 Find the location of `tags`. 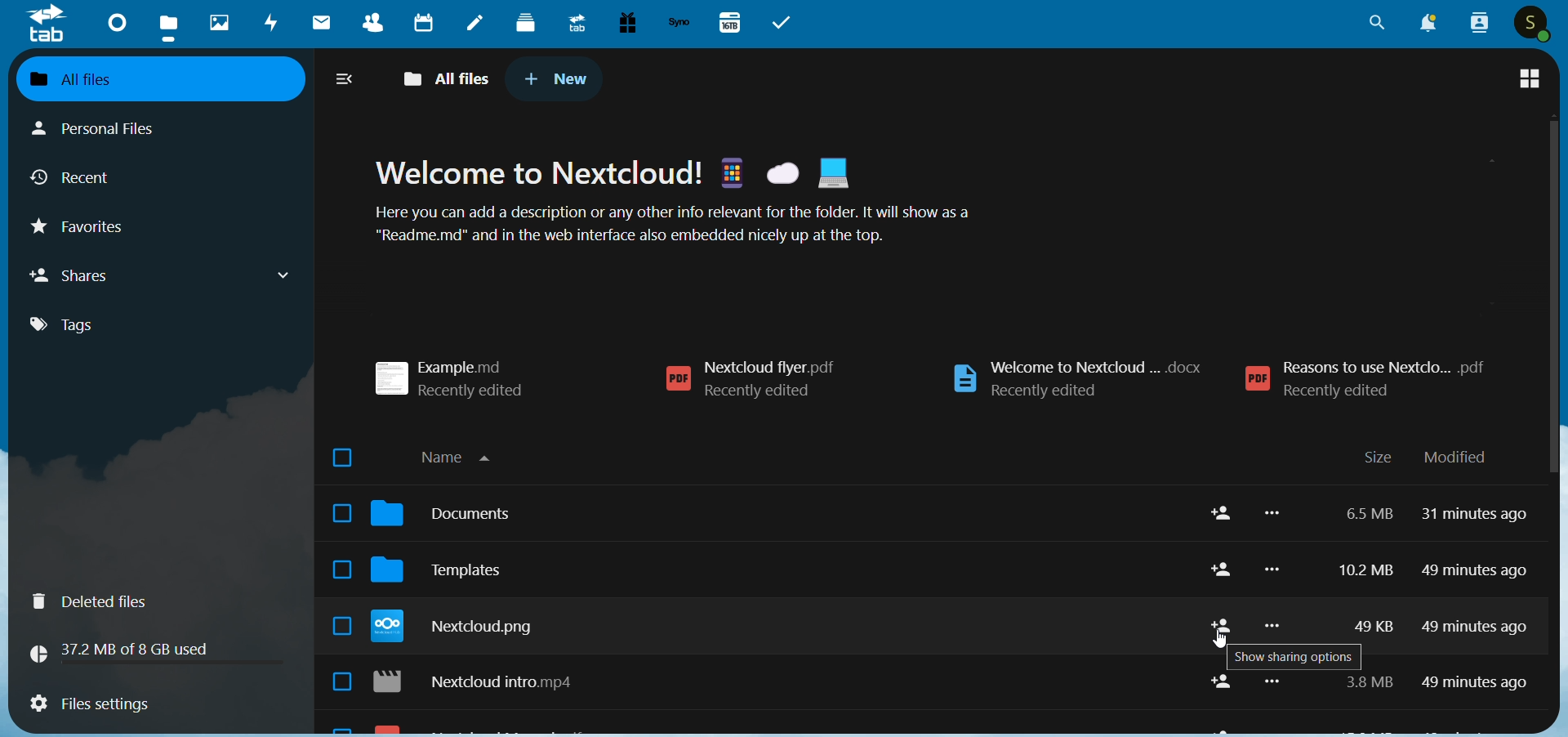

tags is located at coordinates (77, 325).